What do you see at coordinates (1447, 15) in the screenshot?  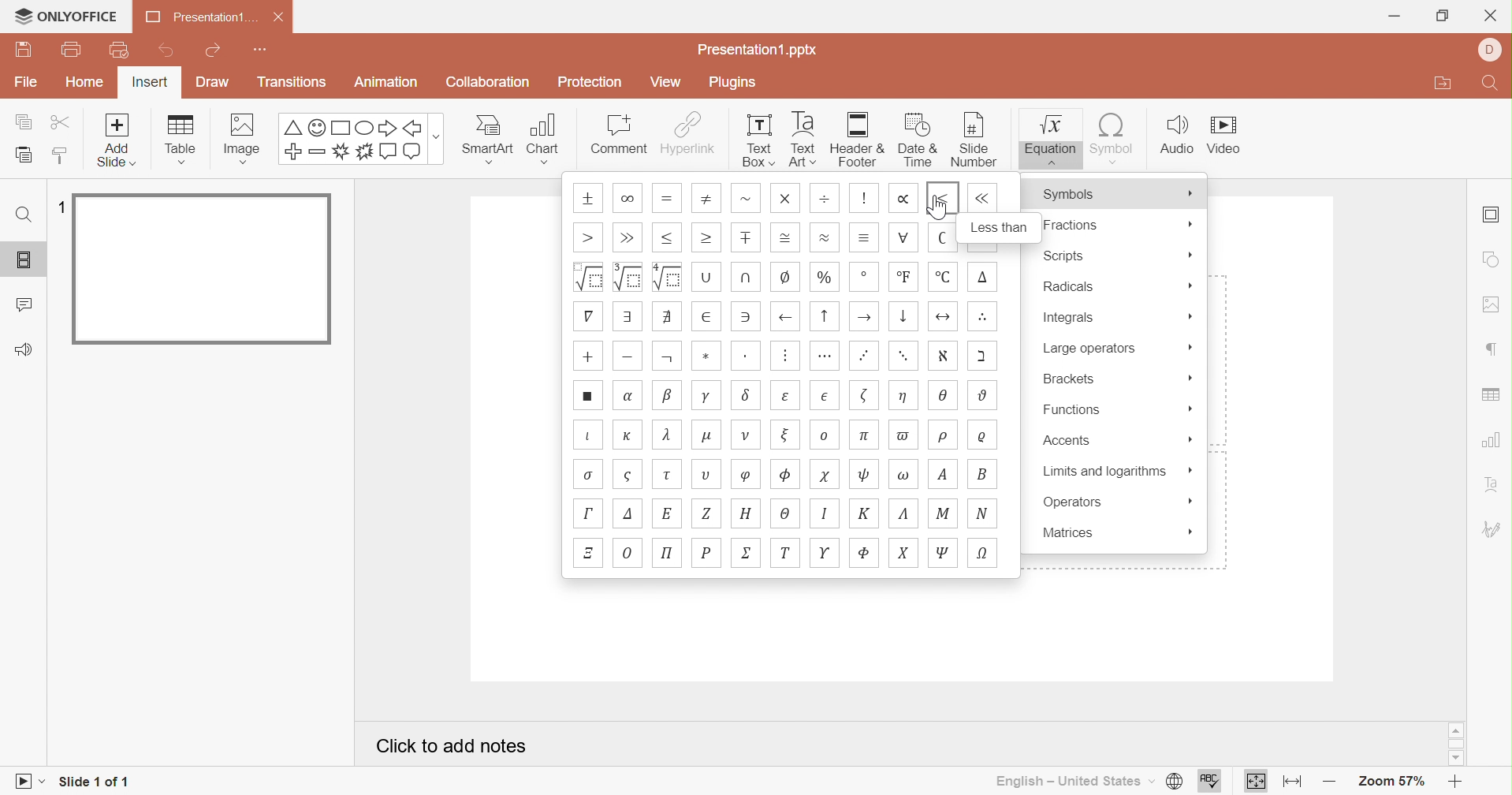 I see `Restore Down` at bounding box center [1447, 15].